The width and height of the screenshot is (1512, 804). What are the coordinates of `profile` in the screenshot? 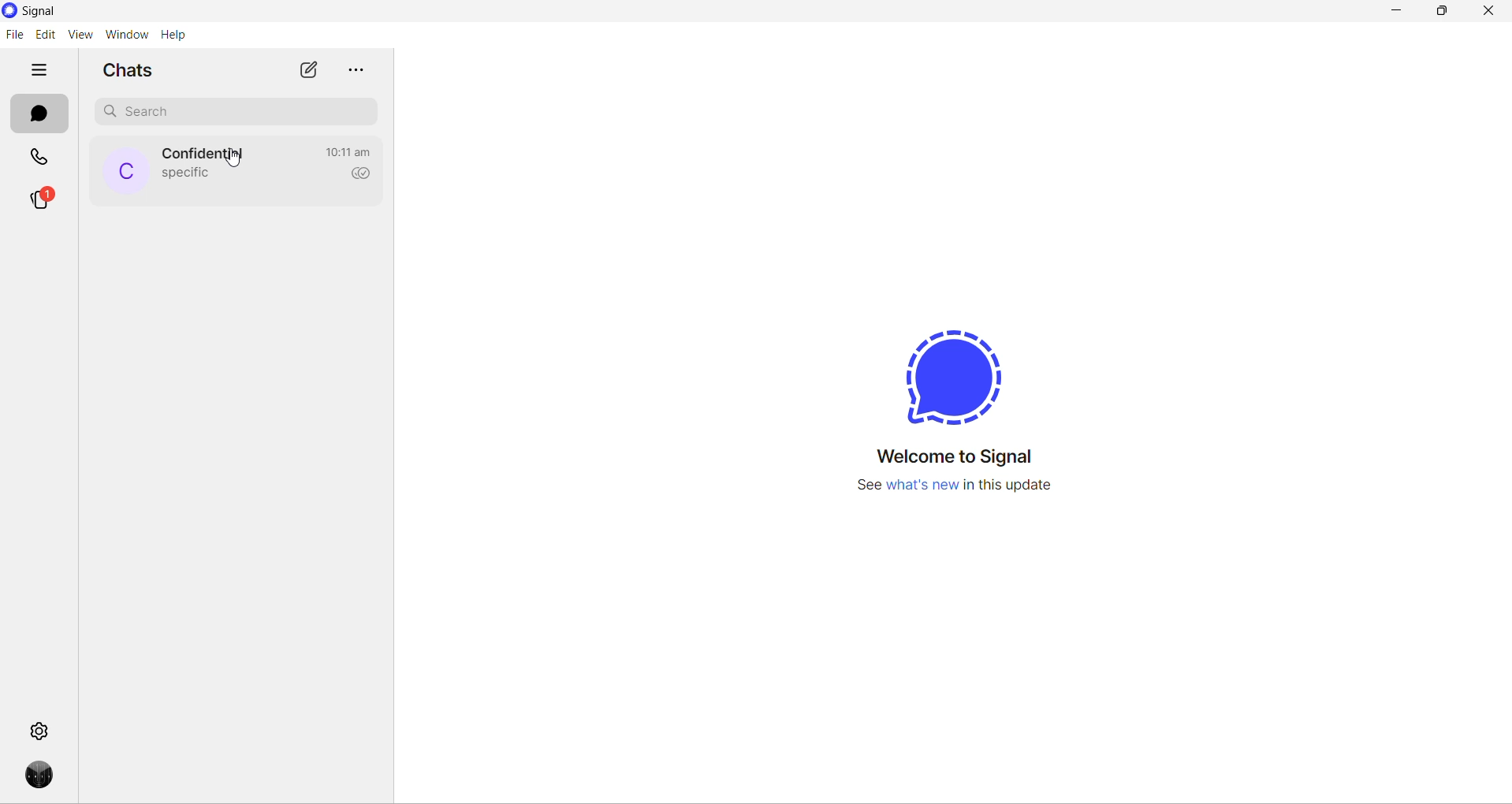 It's located at (42, 776).